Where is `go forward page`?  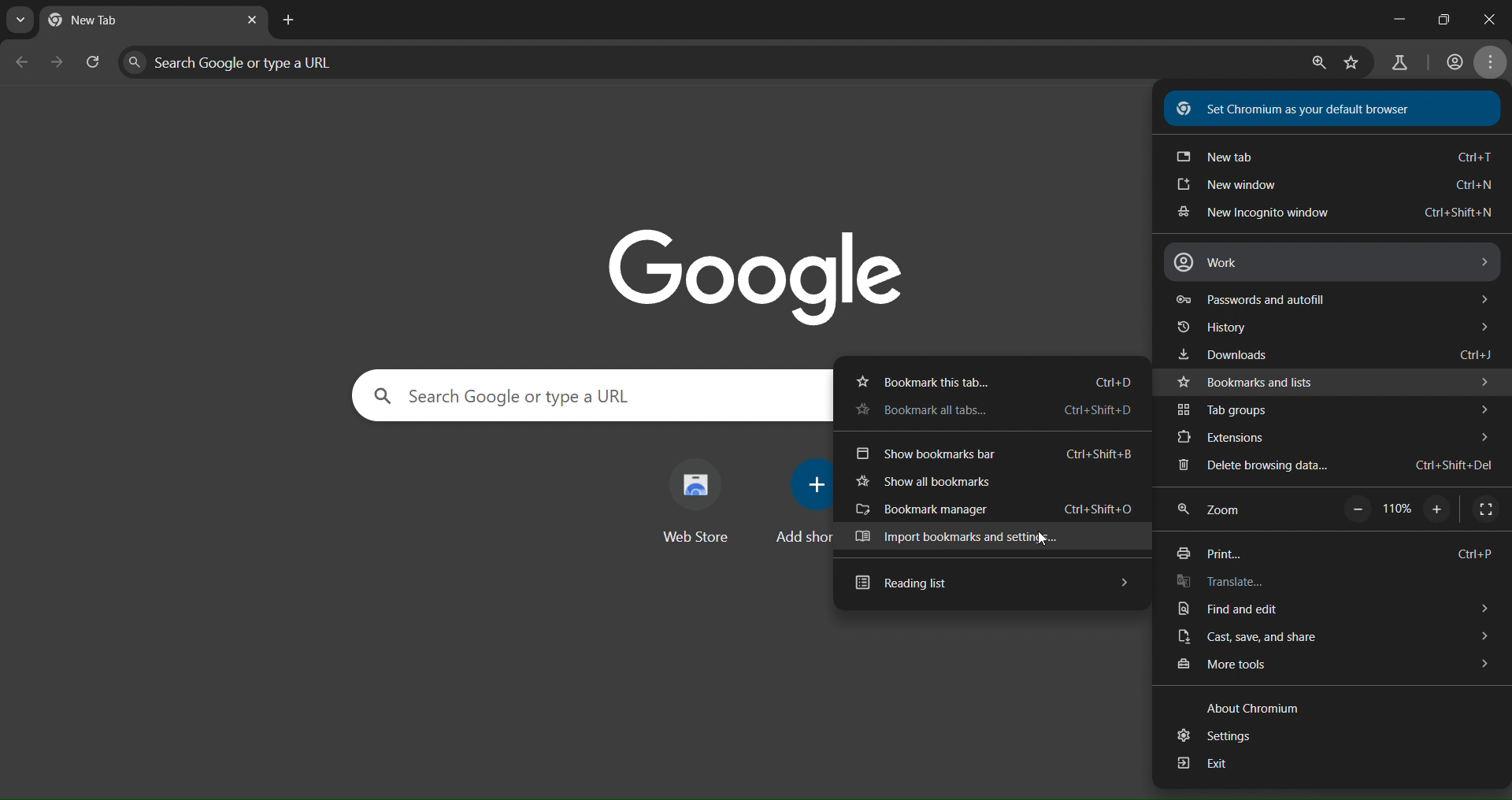 go forward page is located at coordinates (61, 61).